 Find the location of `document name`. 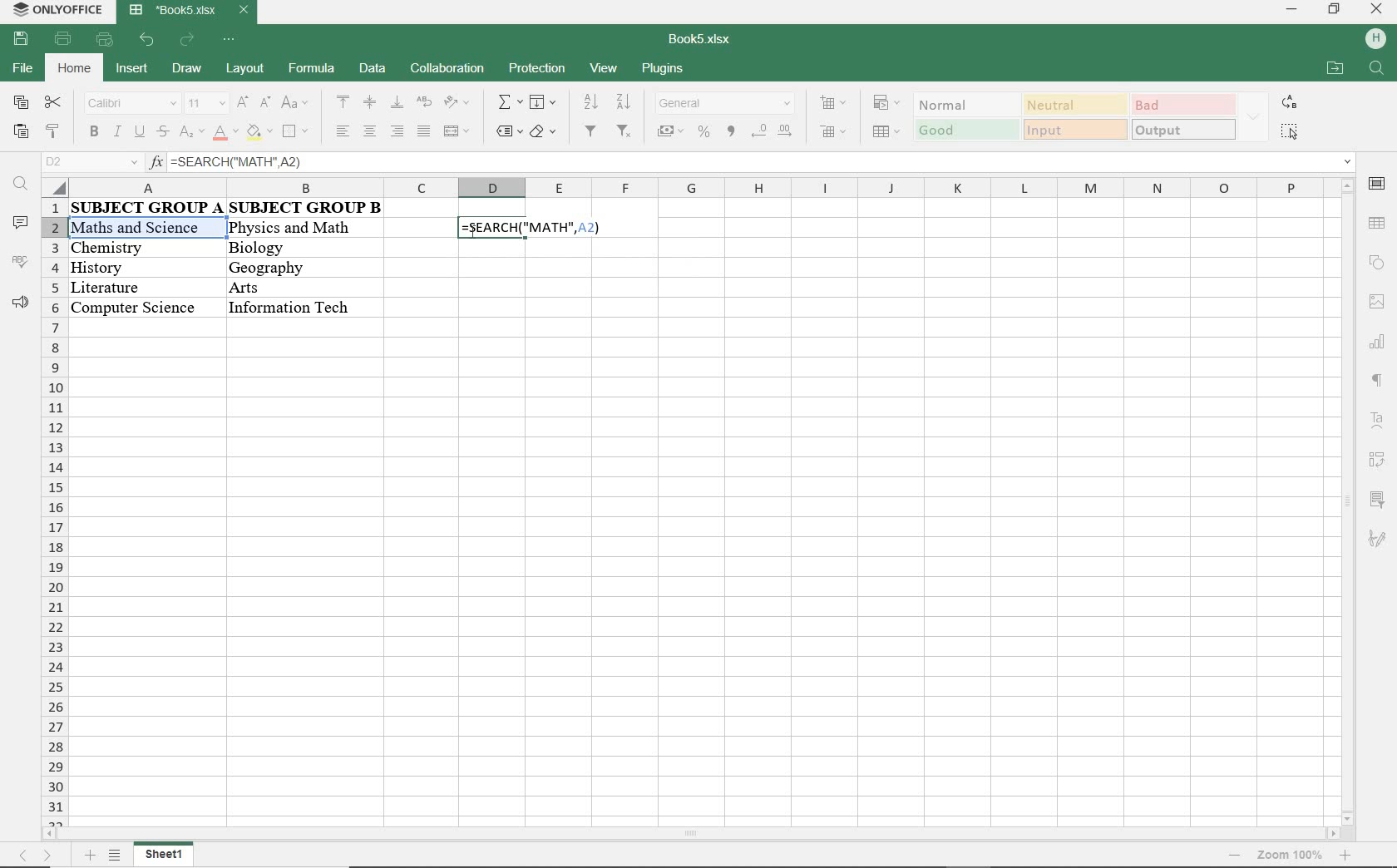

document name is located at coordinates (187, 11).